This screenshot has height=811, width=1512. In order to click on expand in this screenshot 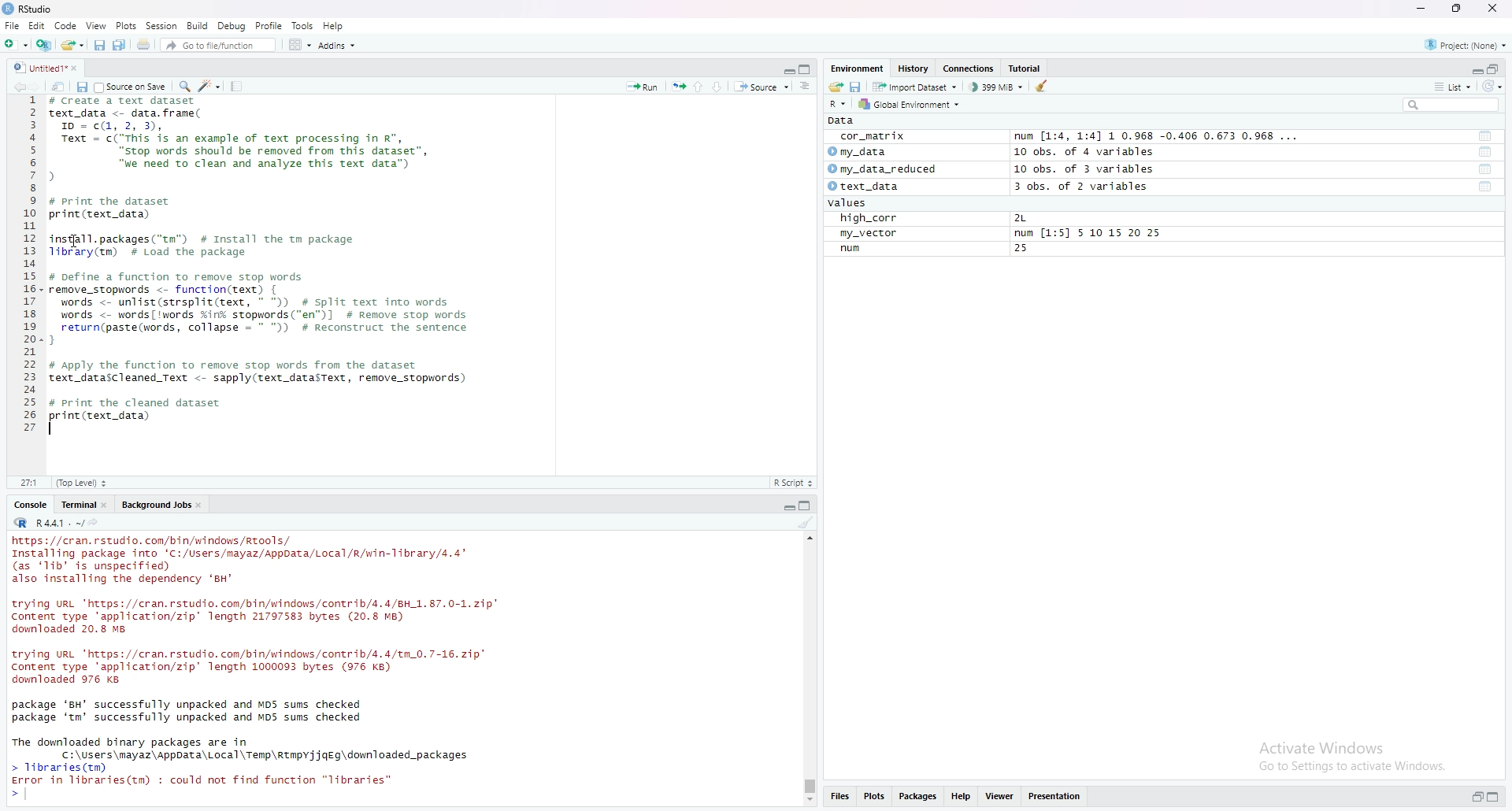, I will do `click(788, 71)`.